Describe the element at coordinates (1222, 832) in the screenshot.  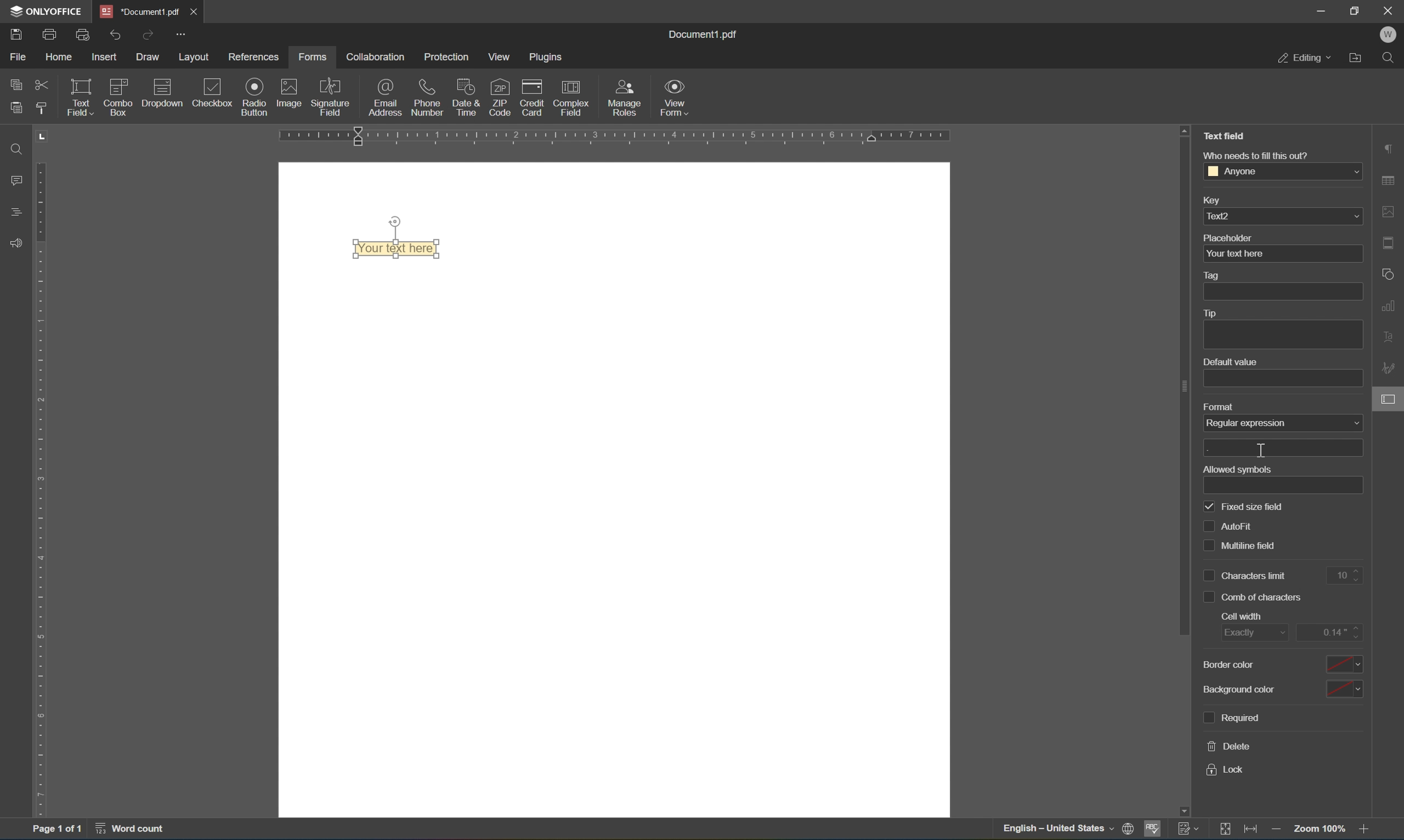
I see `fit to slide` at that location.